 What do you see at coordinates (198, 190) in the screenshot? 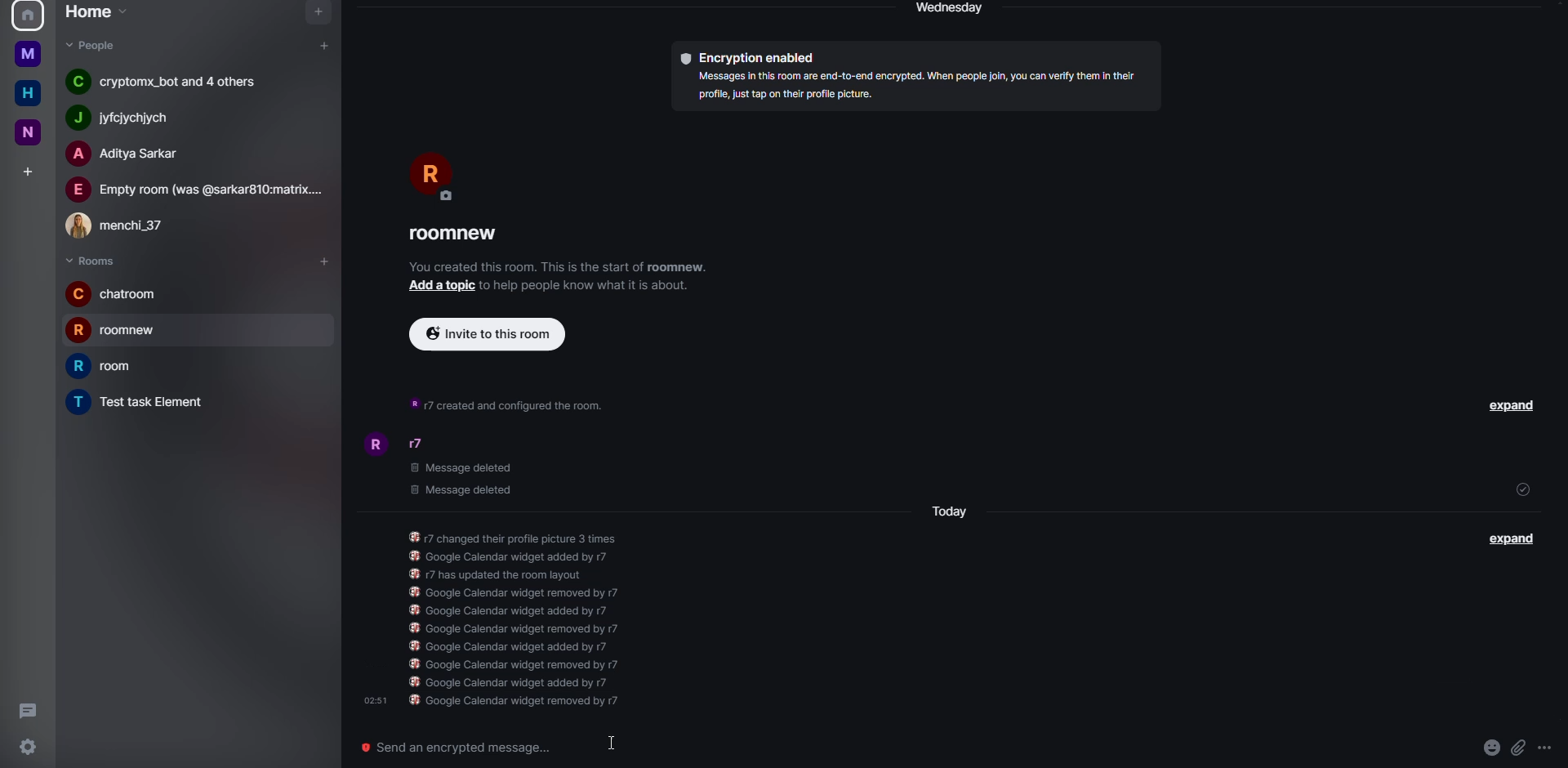
I see `people` at bounding box center [198, 190].